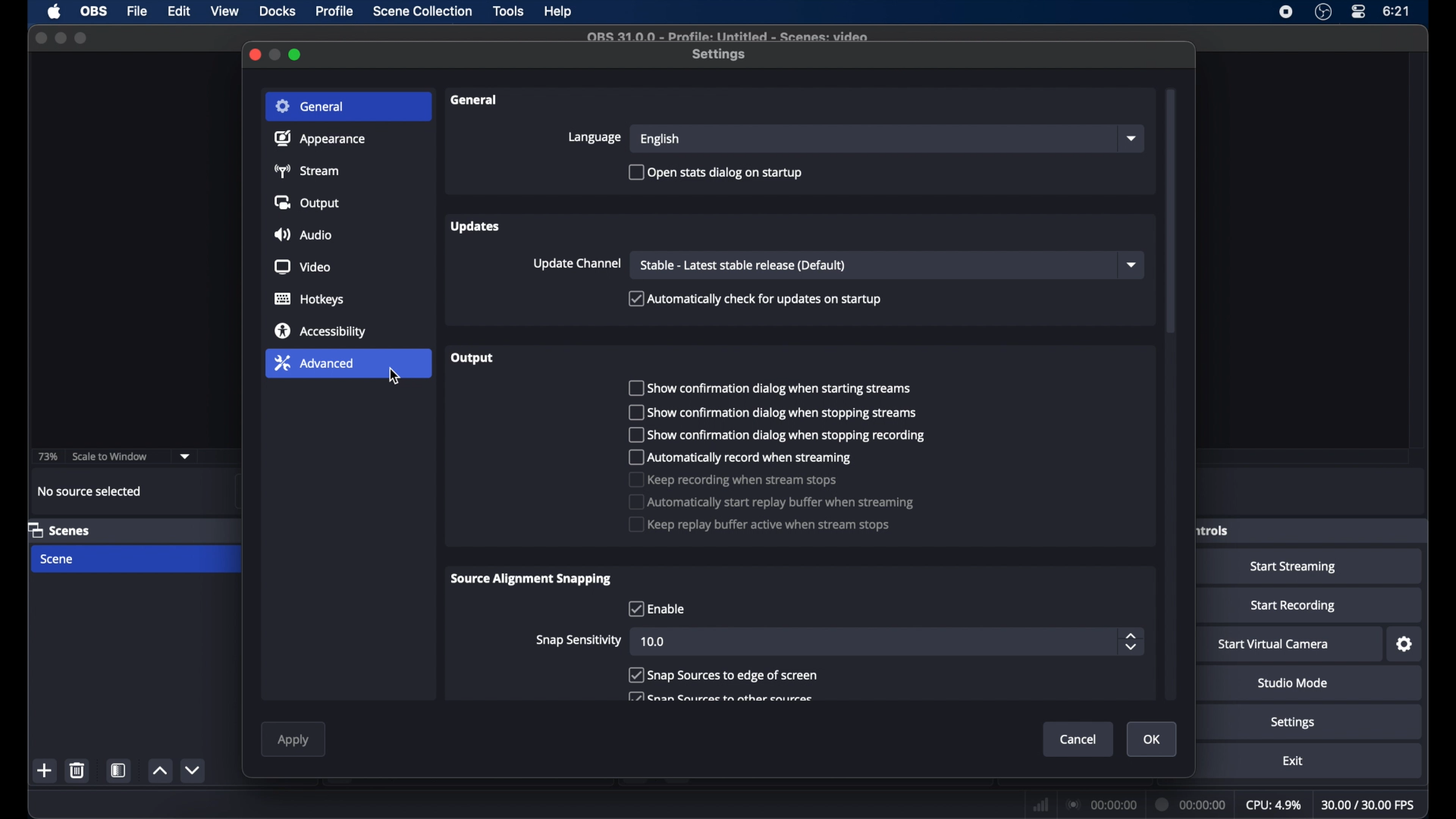 This screenshot has height=819, width=1456. Describe the element at coordinates (1131, 642) in the screenshot. I see `stepper buttons` at that location.